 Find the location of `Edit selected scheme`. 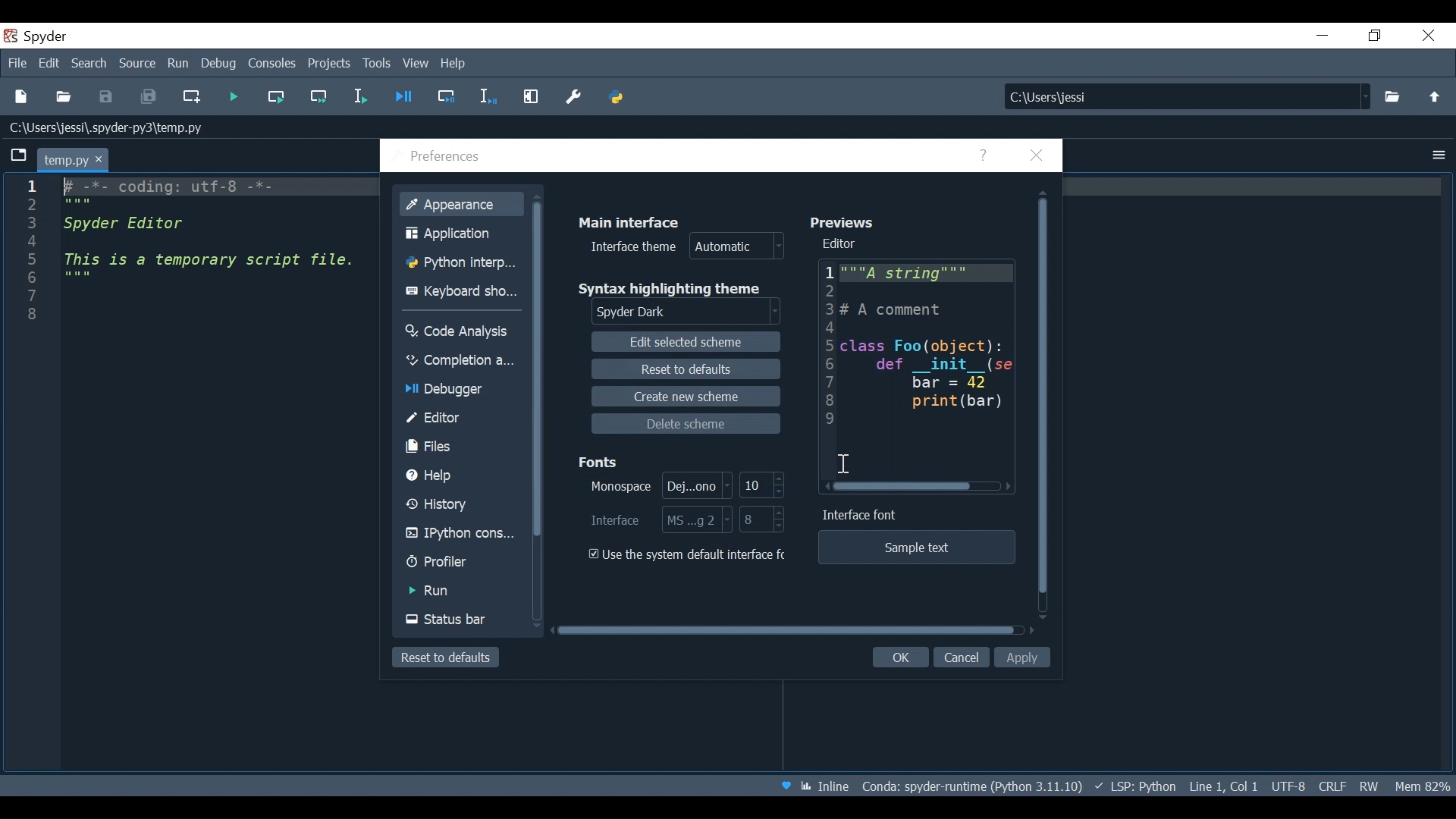

Edit selected scheme is located at coordinates (686, 342).